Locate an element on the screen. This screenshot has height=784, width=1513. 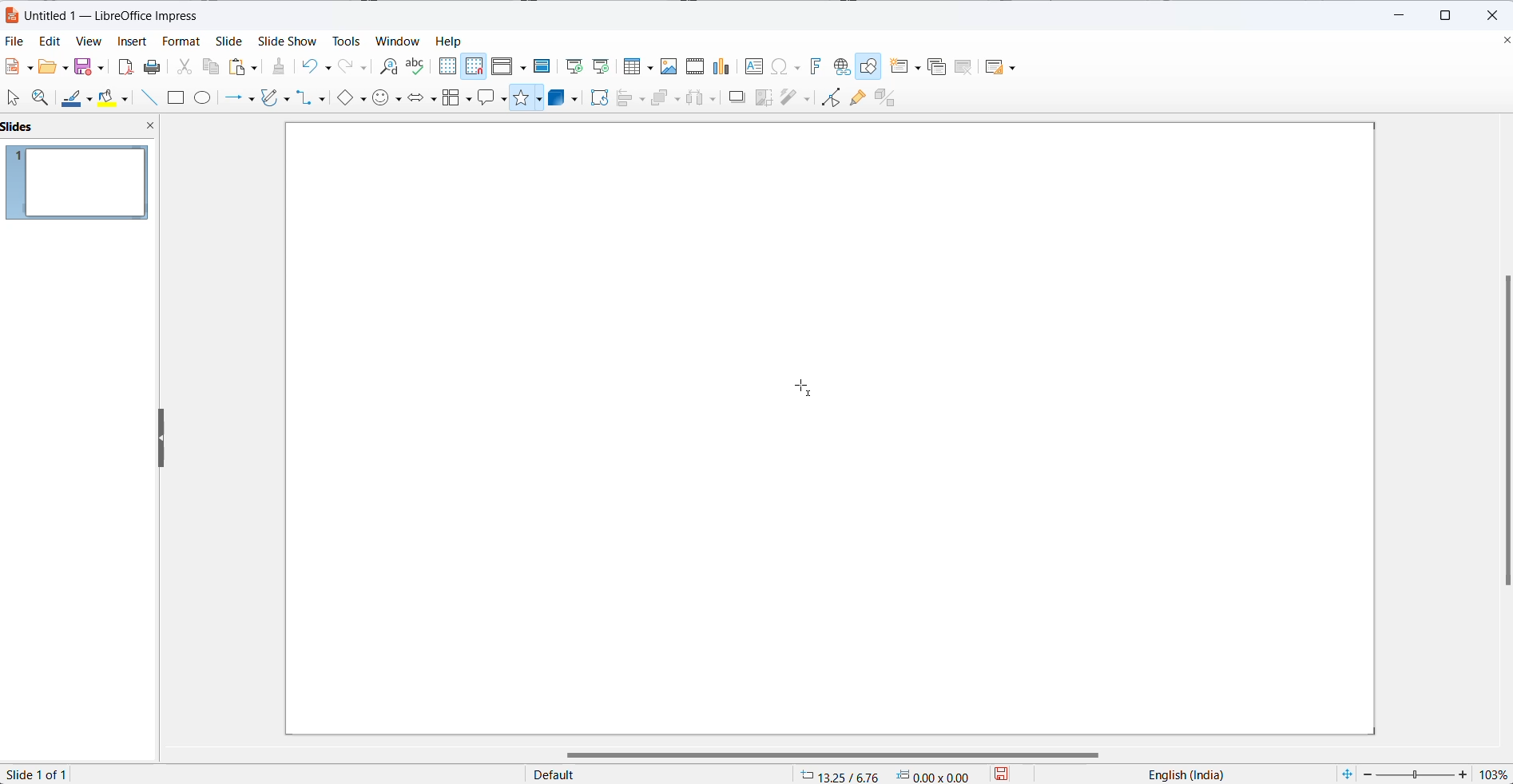
slide preview is located at coordinates (77, 184).